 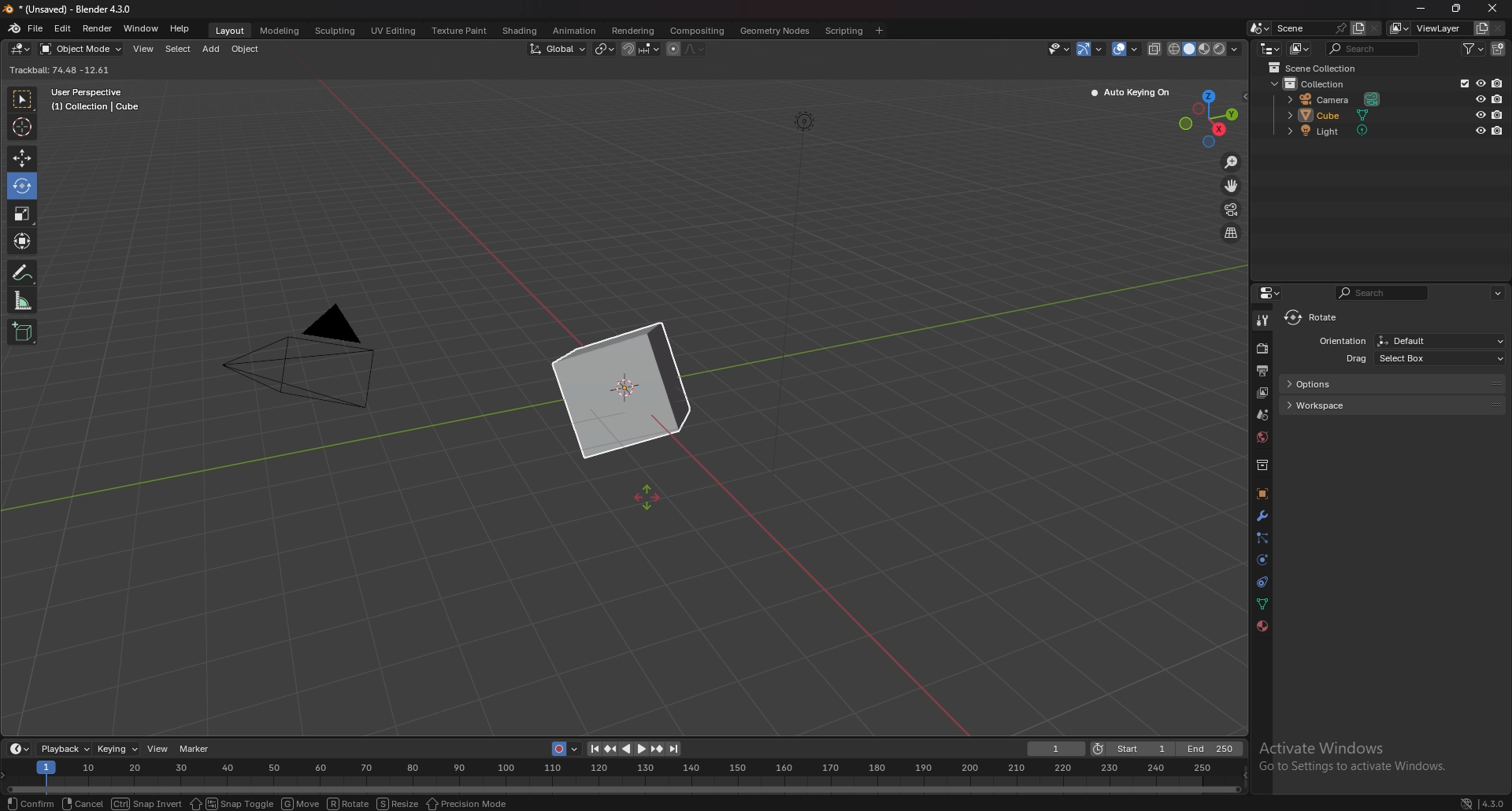 I want to click on minimize, so click(x=1421, y=7).